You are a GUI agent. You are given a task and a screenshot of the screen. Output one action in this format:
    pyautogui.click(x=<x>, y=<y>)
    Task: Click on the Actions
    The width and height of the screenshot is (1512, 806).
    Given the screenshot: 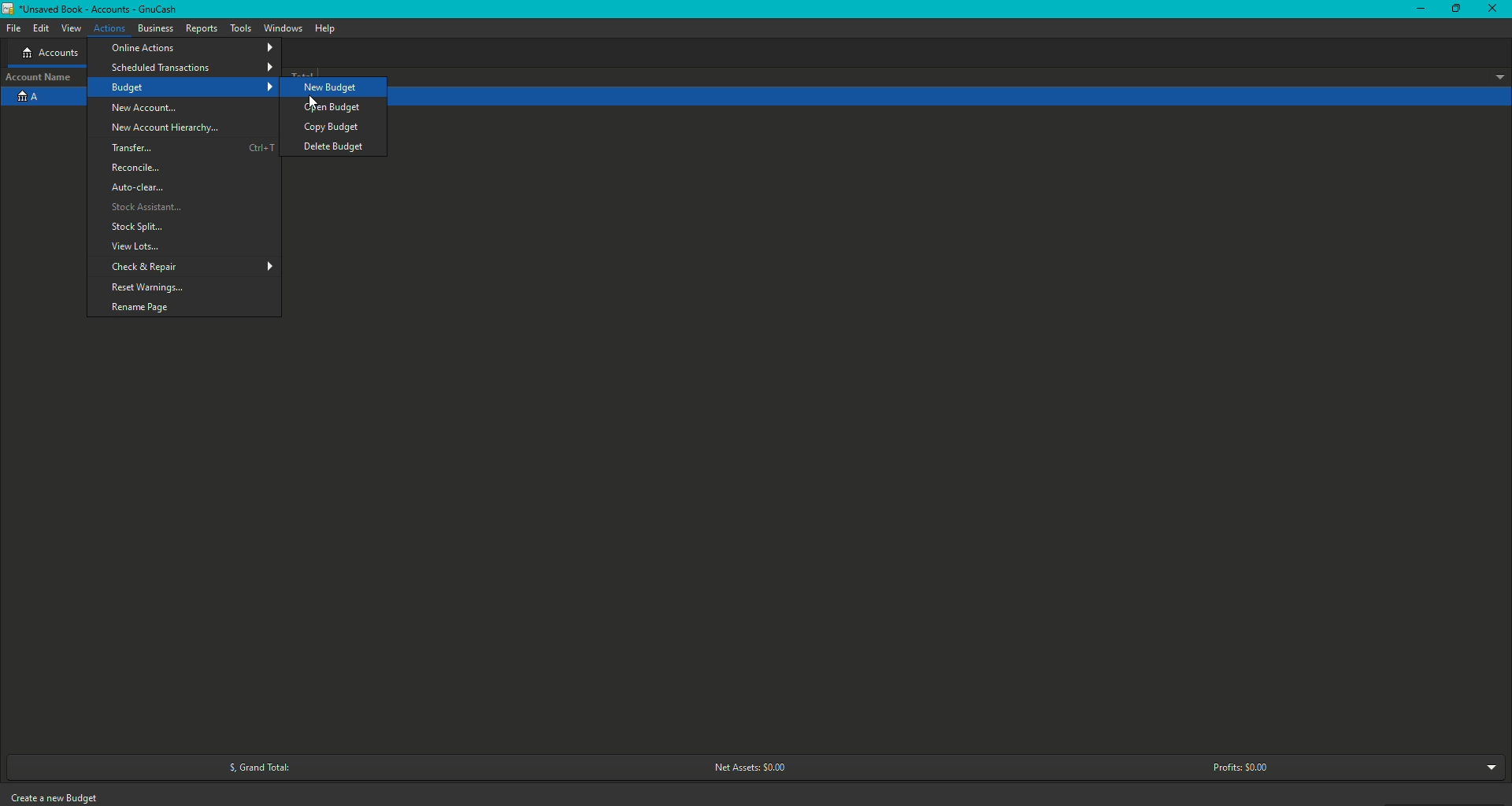 What is the action you would take?
    pyautogui.click(x=110, y=30)
    